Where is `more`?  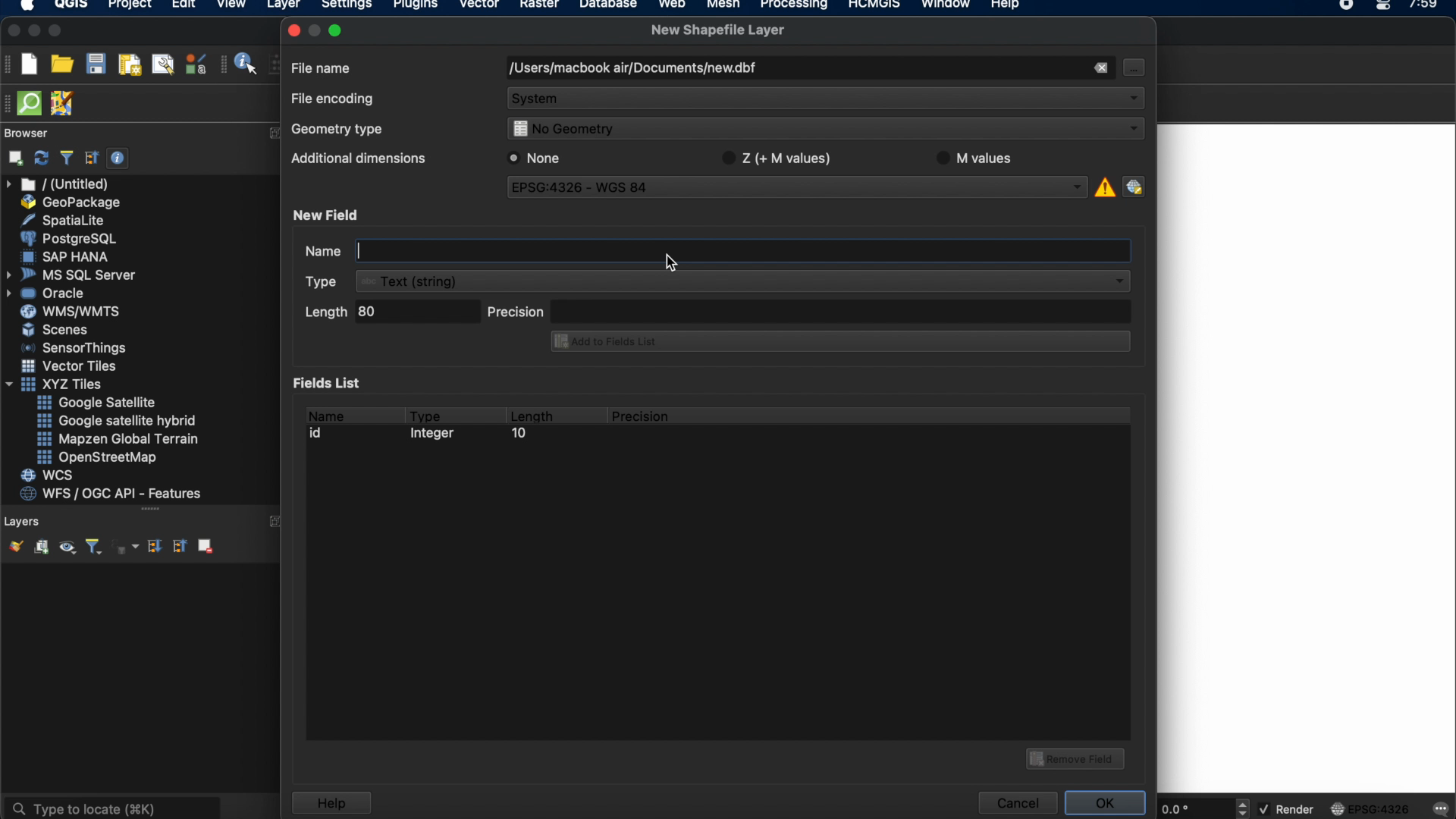 more is located at coordinates (273, 133).